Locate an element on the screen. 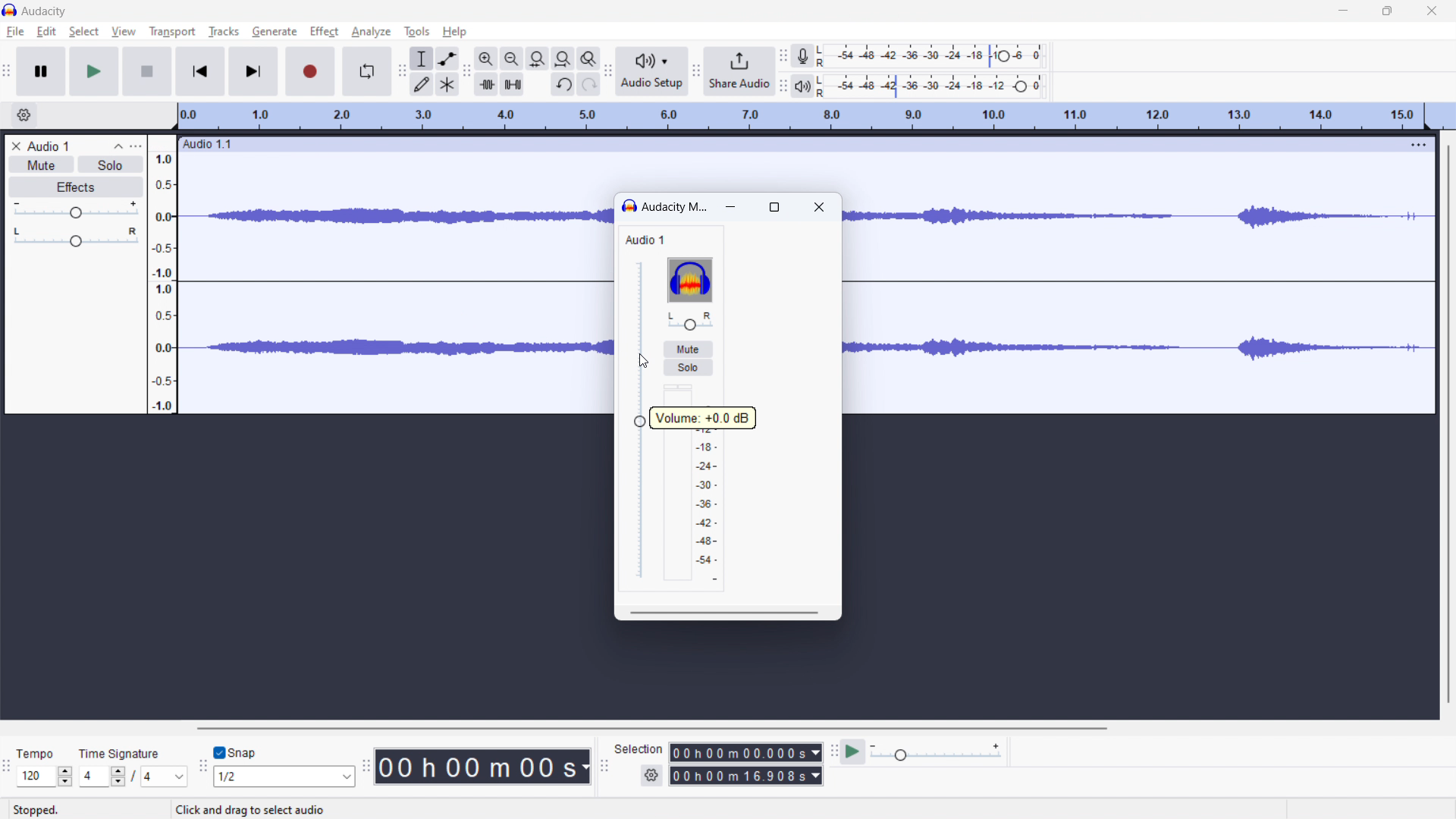  settings is located at coordinates (651, 774).